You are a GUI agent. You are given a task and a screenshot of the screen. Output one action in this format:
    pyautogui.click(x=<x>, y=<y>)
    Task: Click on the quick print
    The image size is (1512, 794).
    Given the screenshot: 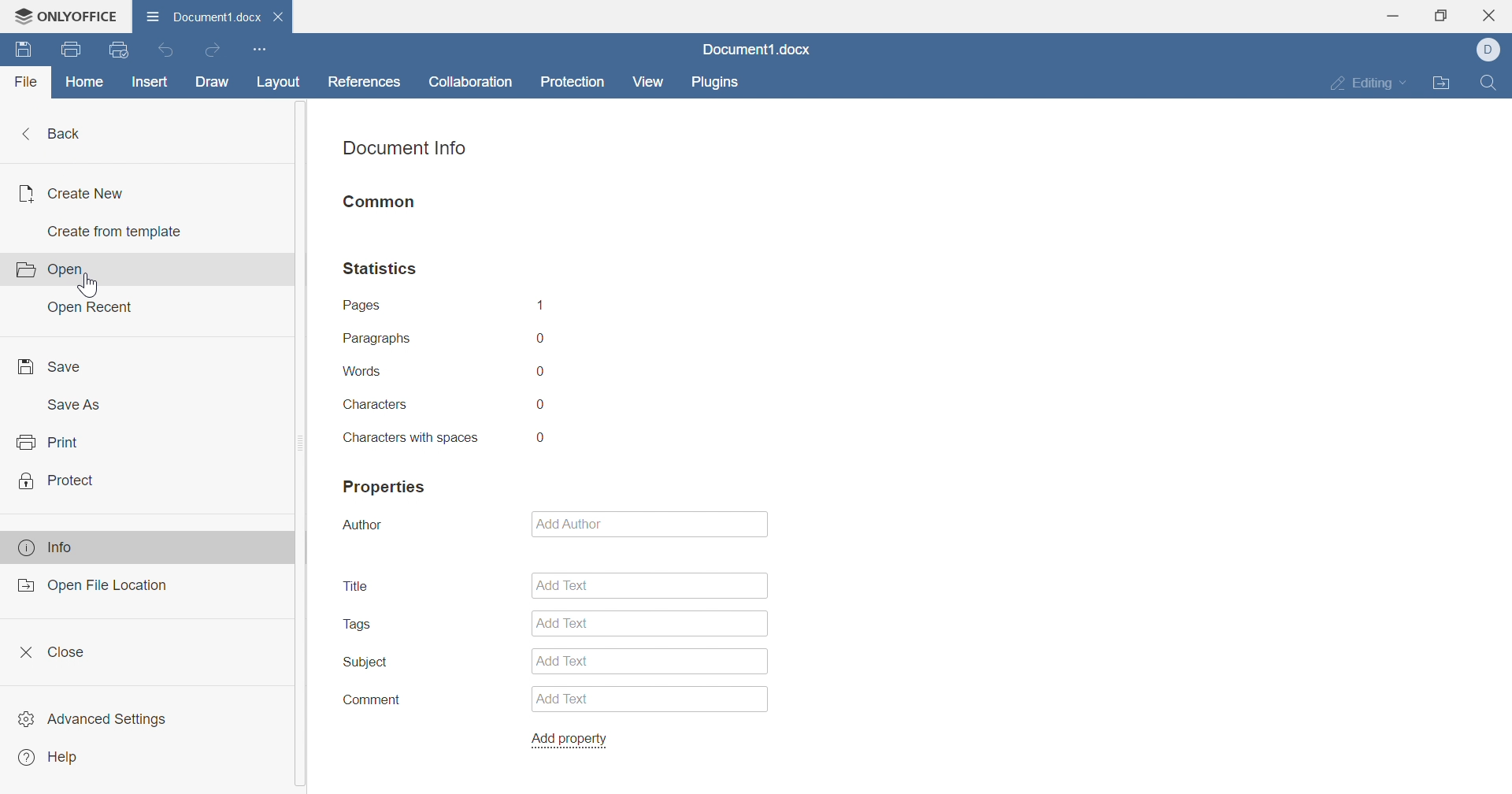 What is the action you would take?
    pyautogui.click(x=117, y=48)
    